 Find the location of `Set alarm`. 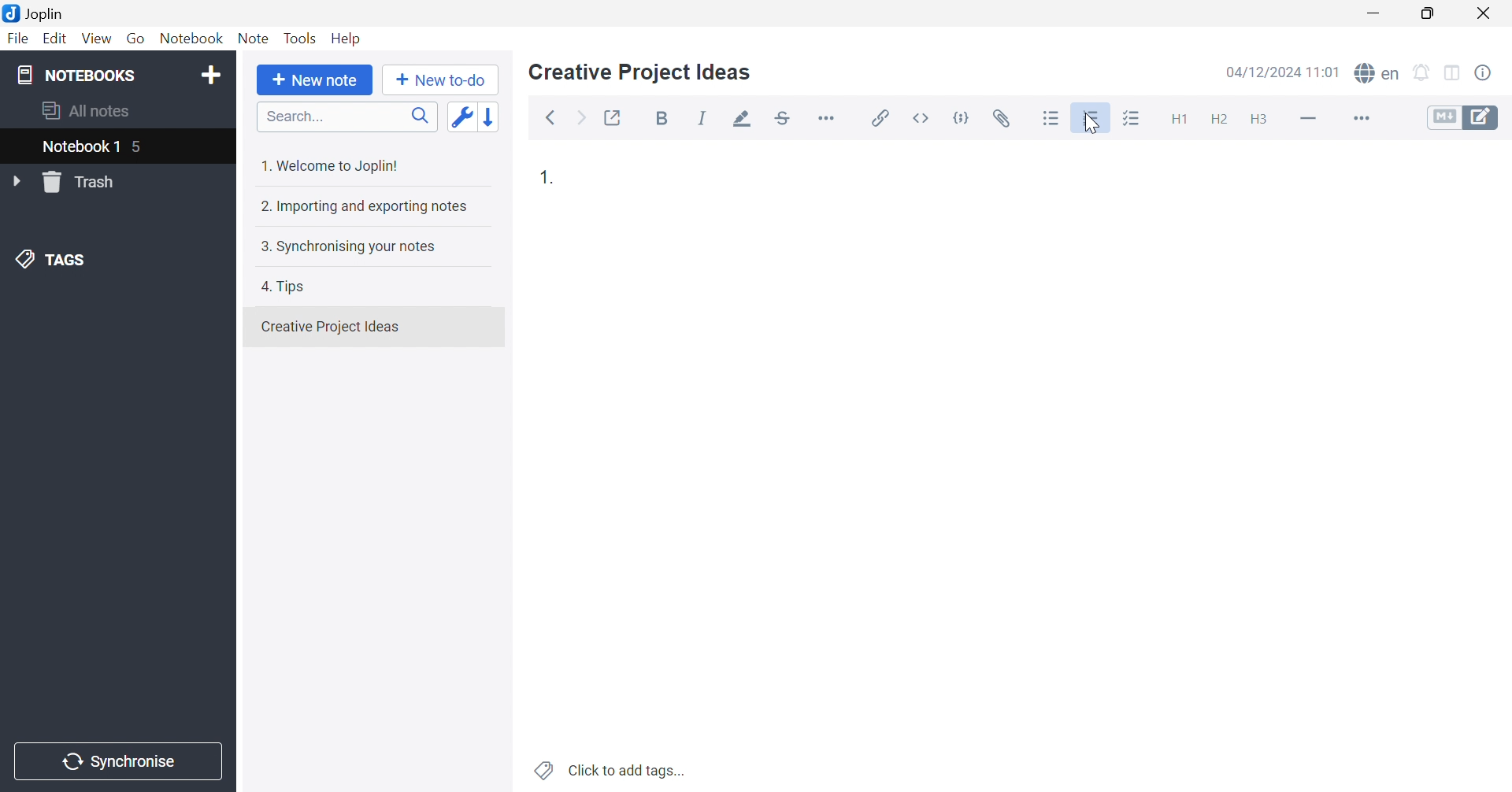

Set alarm is located at coordinates (1423, 72).